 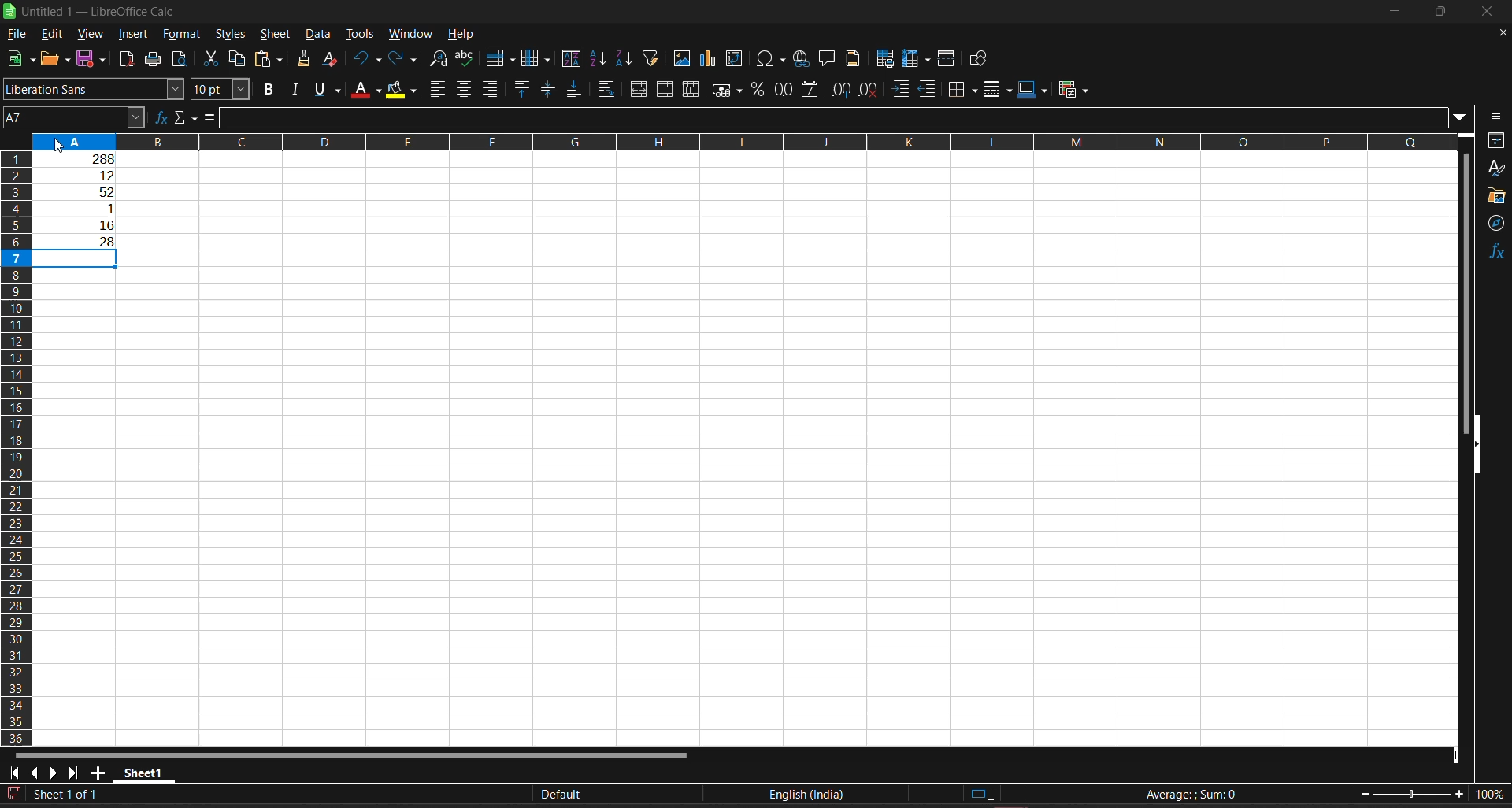 I want to click on undo, so click(x=366, y=61).